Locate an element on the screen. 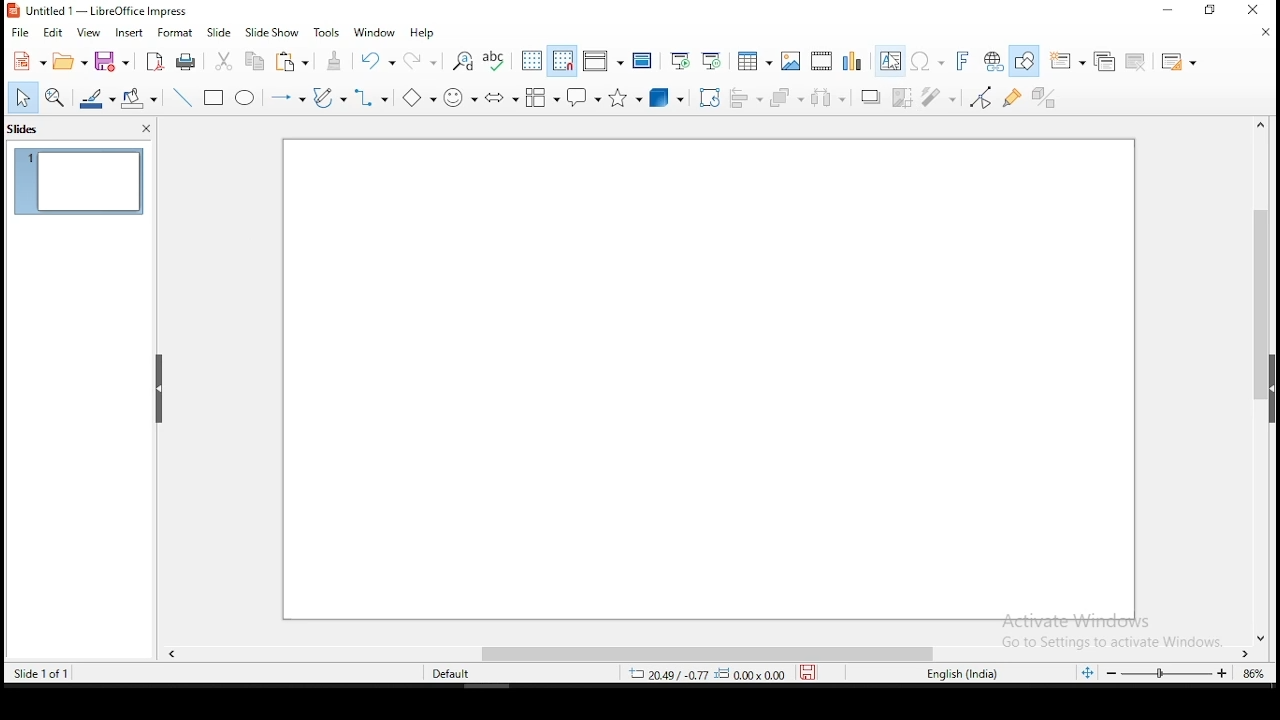 The height and width of the screenshot is (720, 1280). insert image is located at coordinates (792, 61).